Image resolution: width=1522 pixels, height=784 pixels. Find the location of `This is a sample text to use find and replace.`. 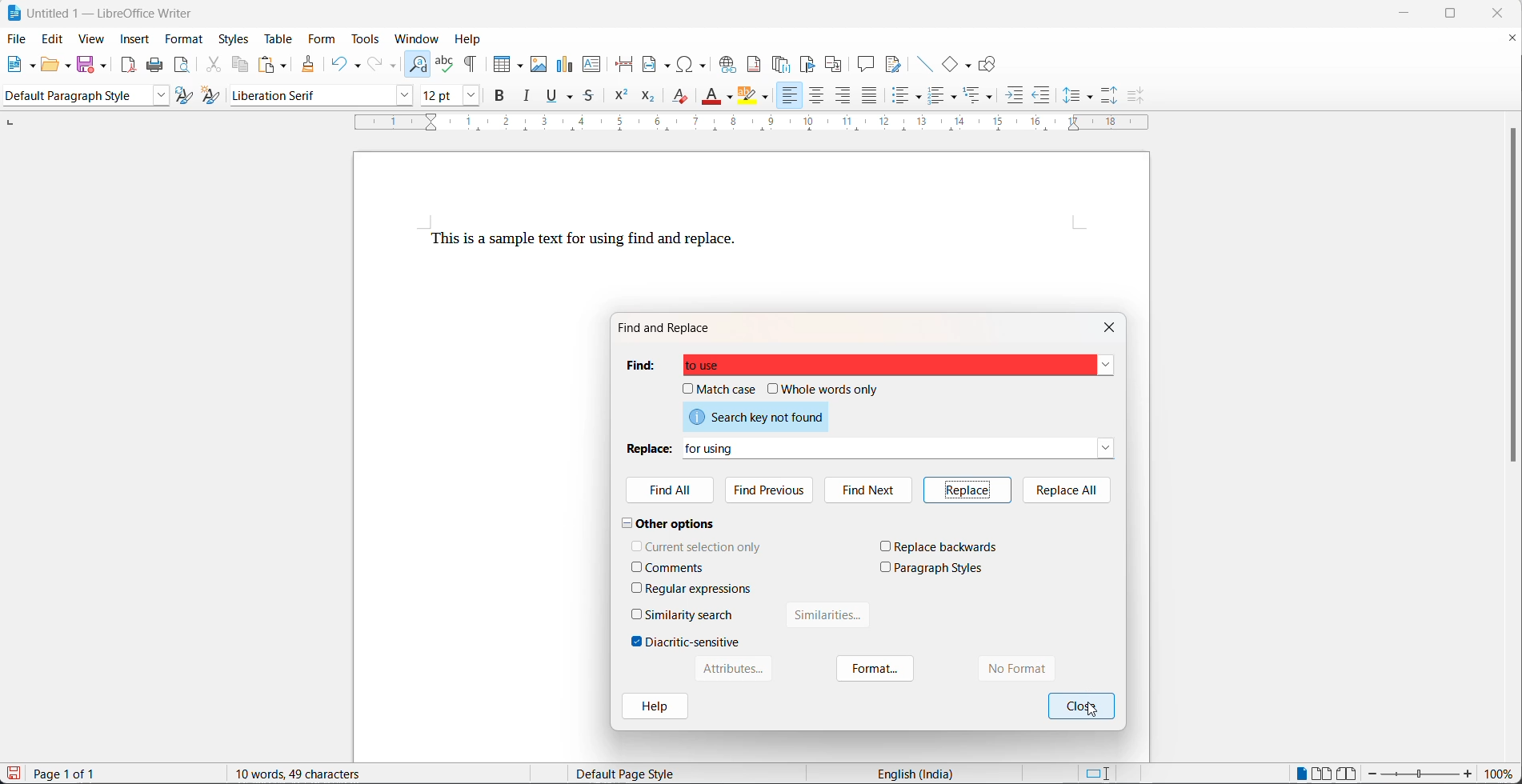

This is a sample text to use find and replace. is located at coordinates (589, 238).